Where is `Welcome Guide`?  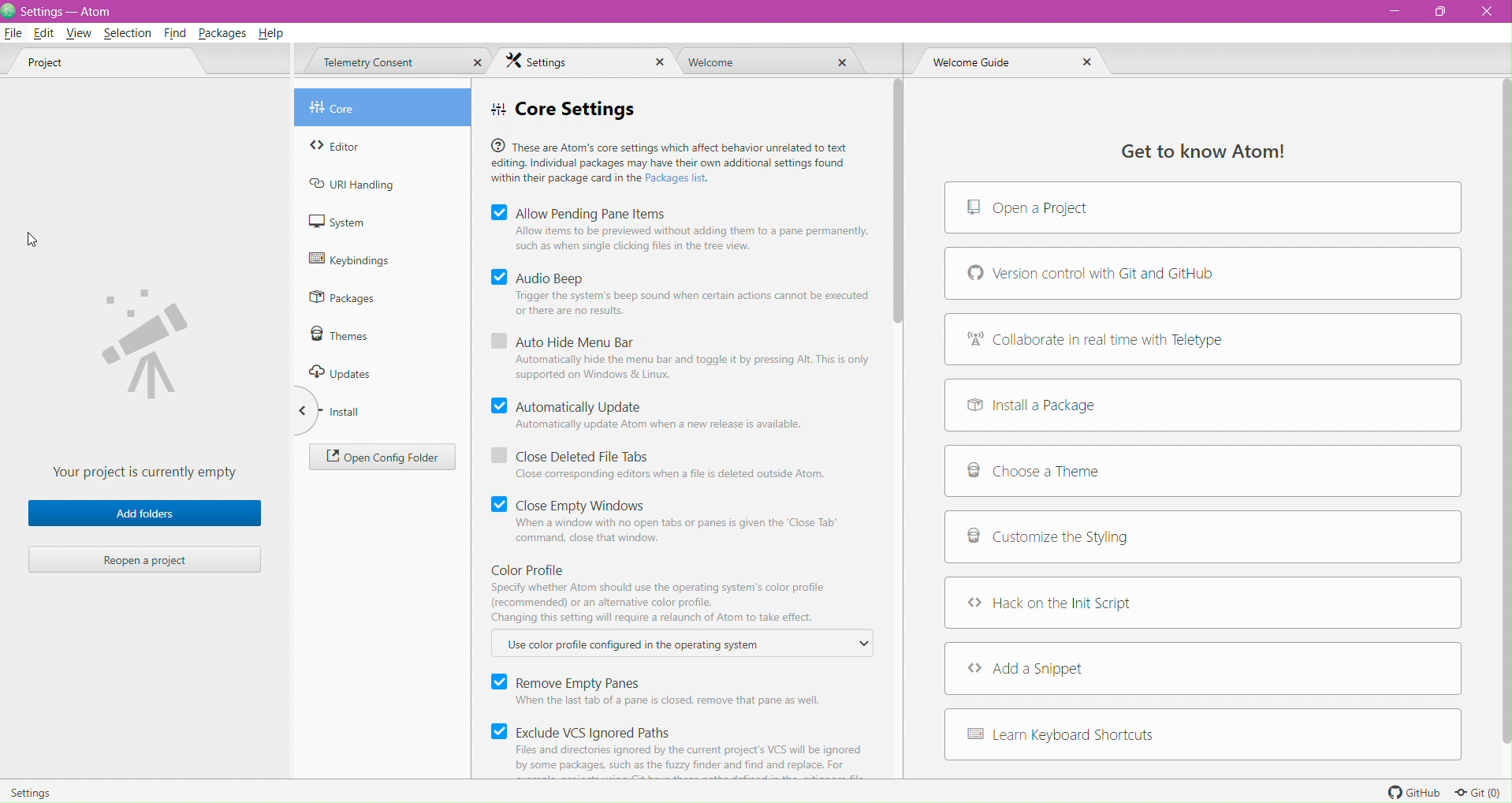
Welcome Guide is located at coordinates (981, 64).